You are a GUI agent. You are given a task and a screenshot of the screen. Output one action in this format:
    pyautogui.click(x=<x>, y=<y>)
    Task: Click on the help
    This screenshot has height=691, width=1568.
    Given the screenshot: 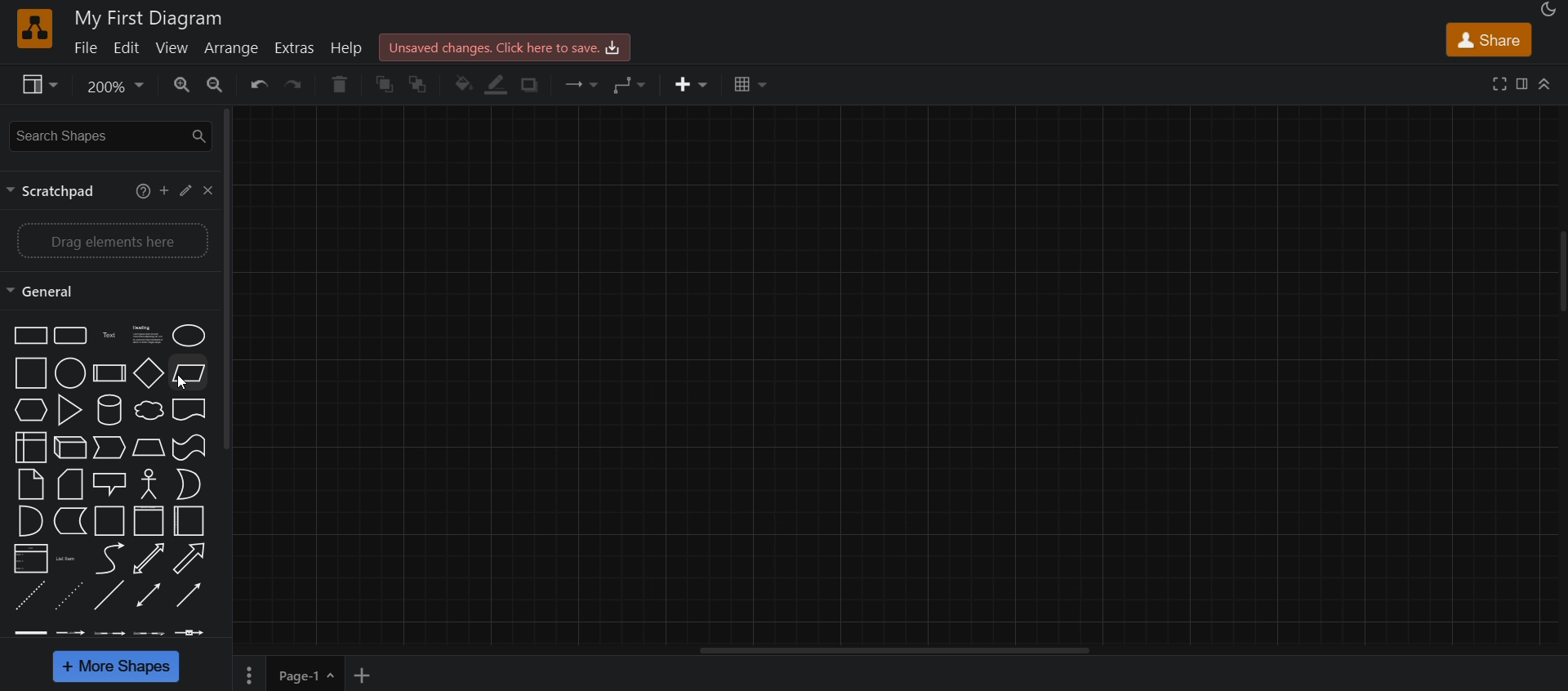 What is the action you would take?
    pyautogui.click(x=137, y=192)
    